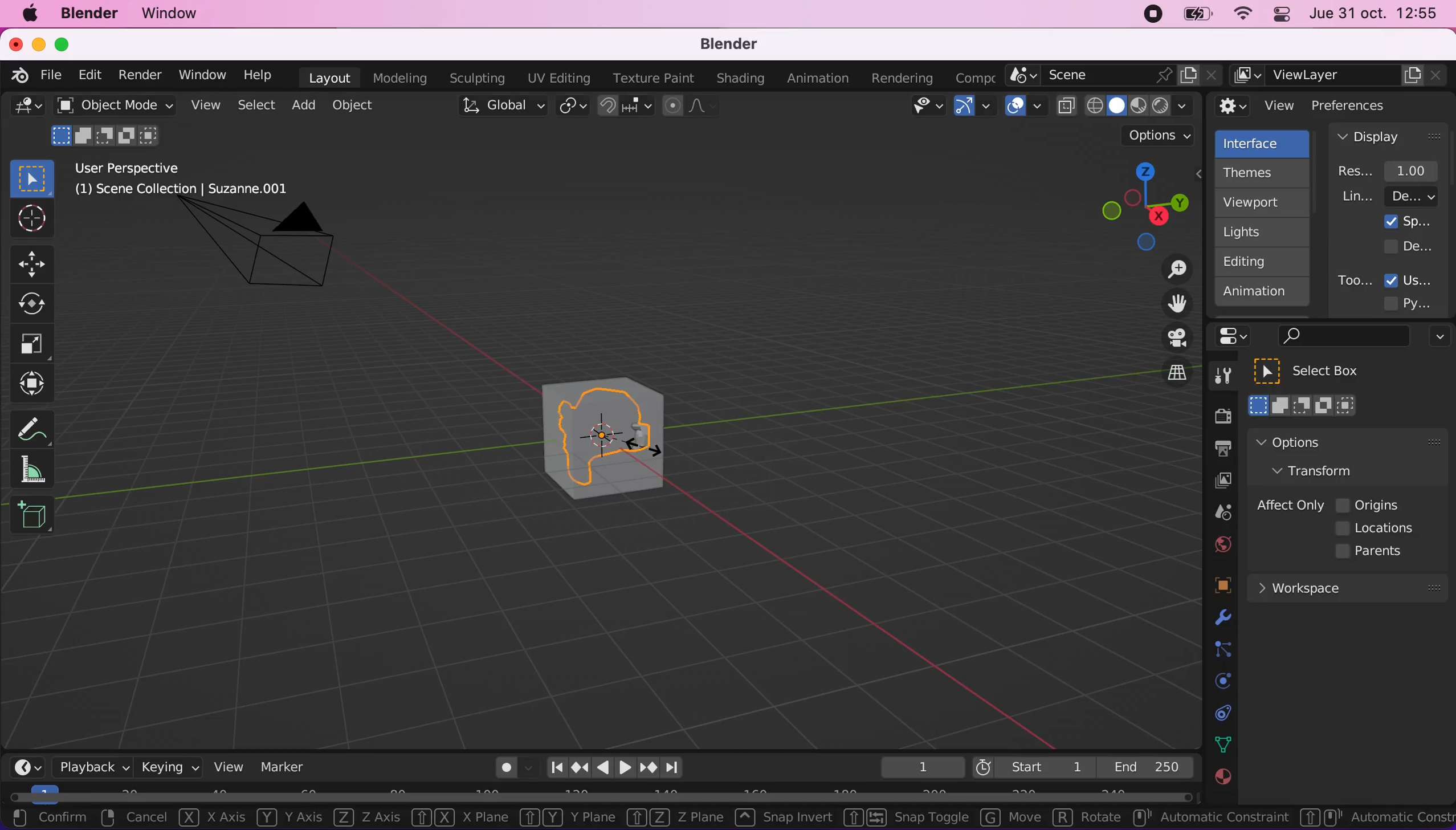 The image size is (1456, 830). Describe the element at coordinates (1114, 76) in the screenshot. I see `scene` at that location.